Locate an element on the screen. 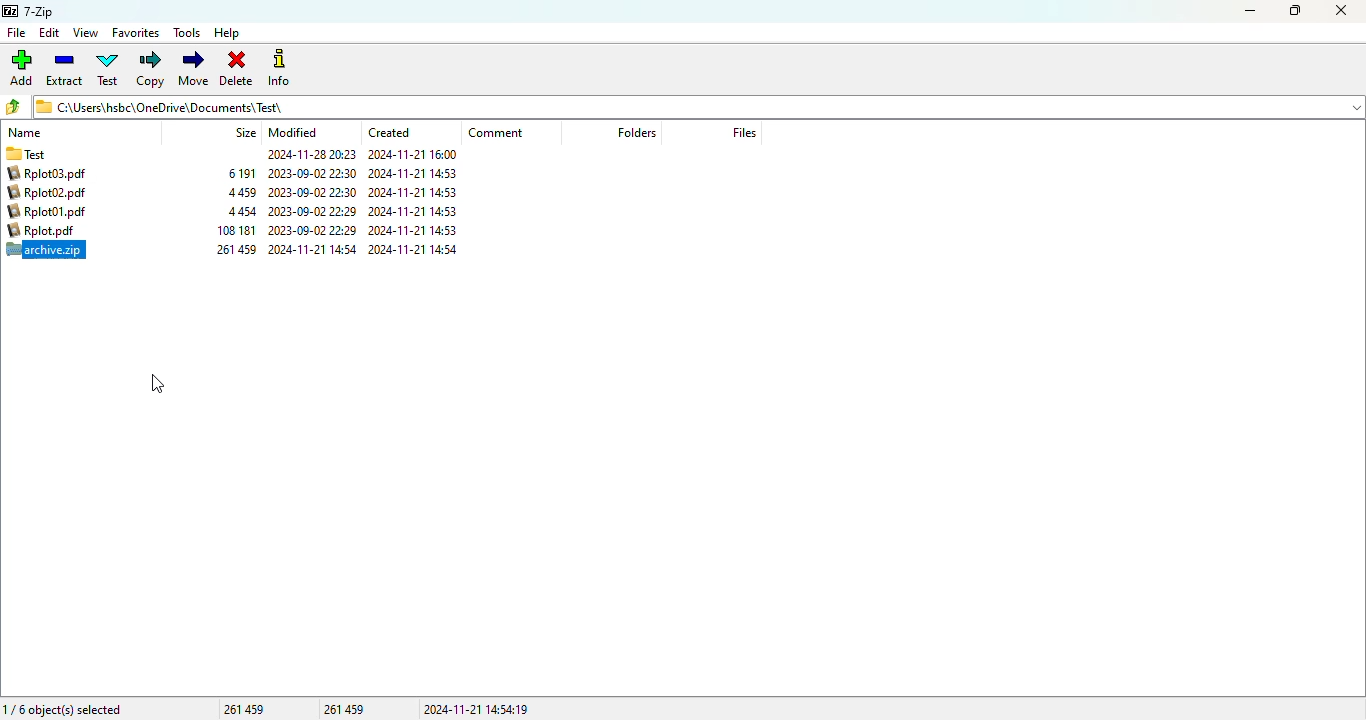 This screenshot has width=1366, height=720. Test.zip  is located at coordinates (70, 174).